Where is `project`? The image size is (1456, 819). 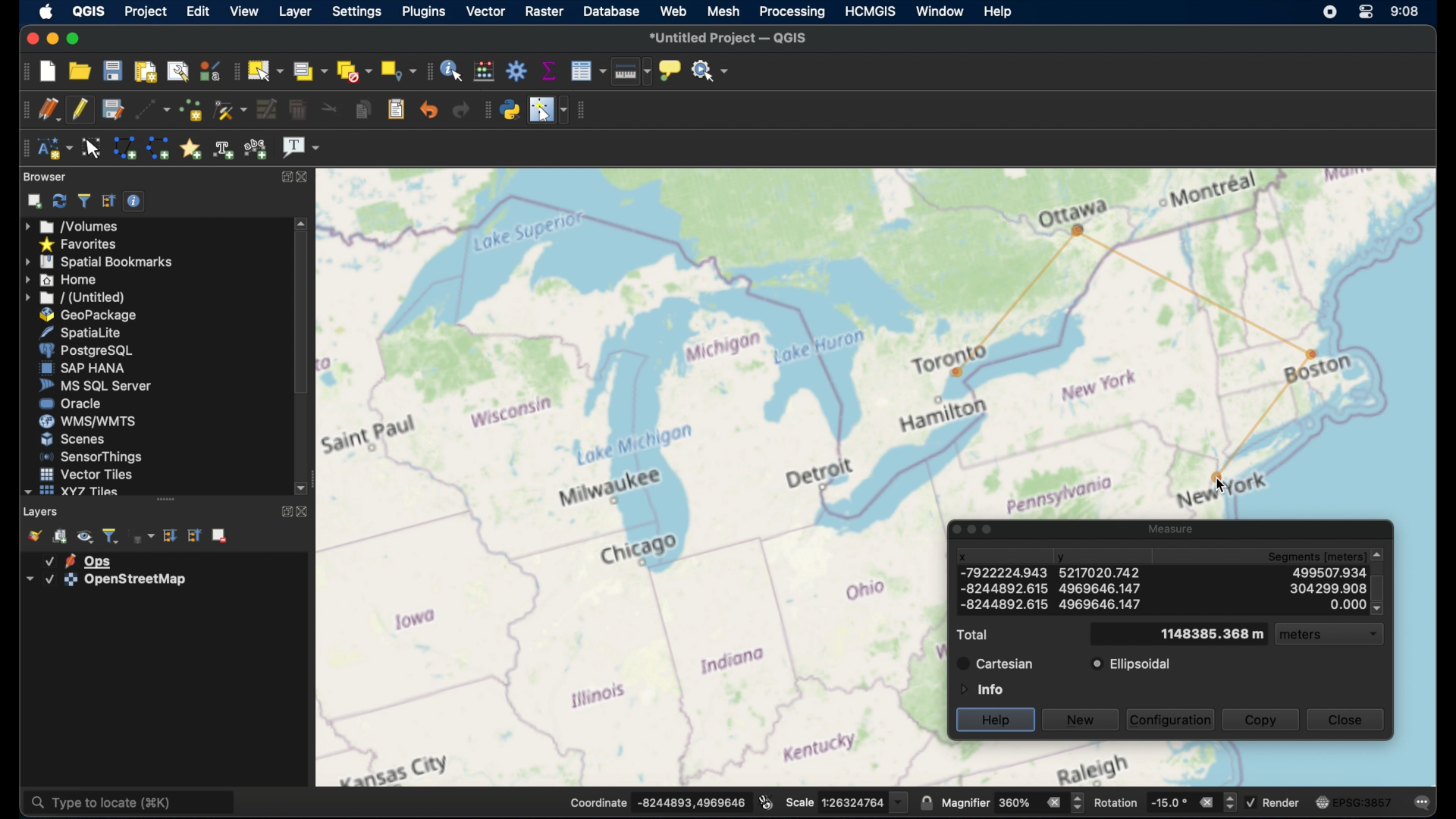 project is located at coordinates (146, 11).